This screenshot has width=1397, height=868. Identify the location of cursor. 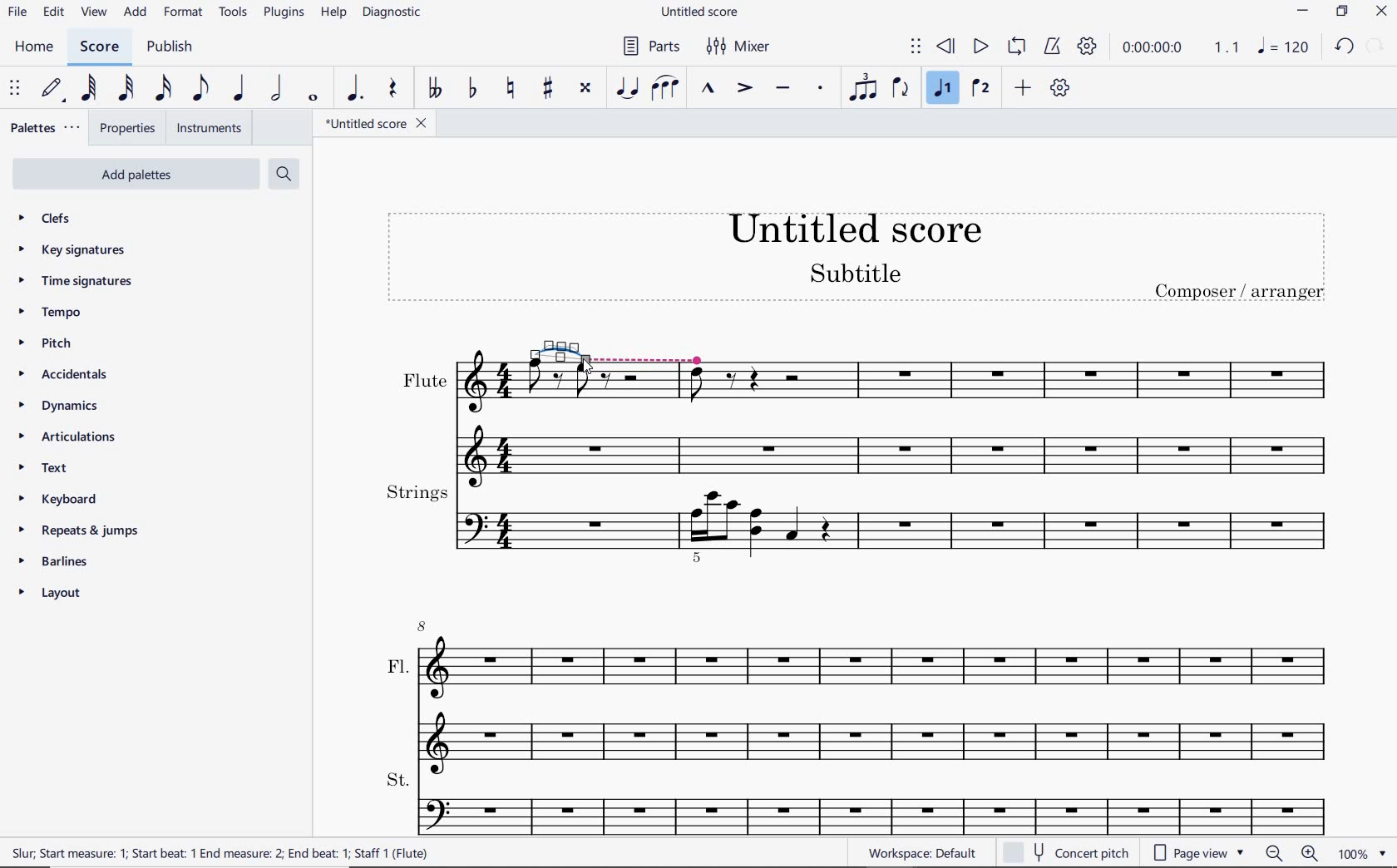
(585, 367).